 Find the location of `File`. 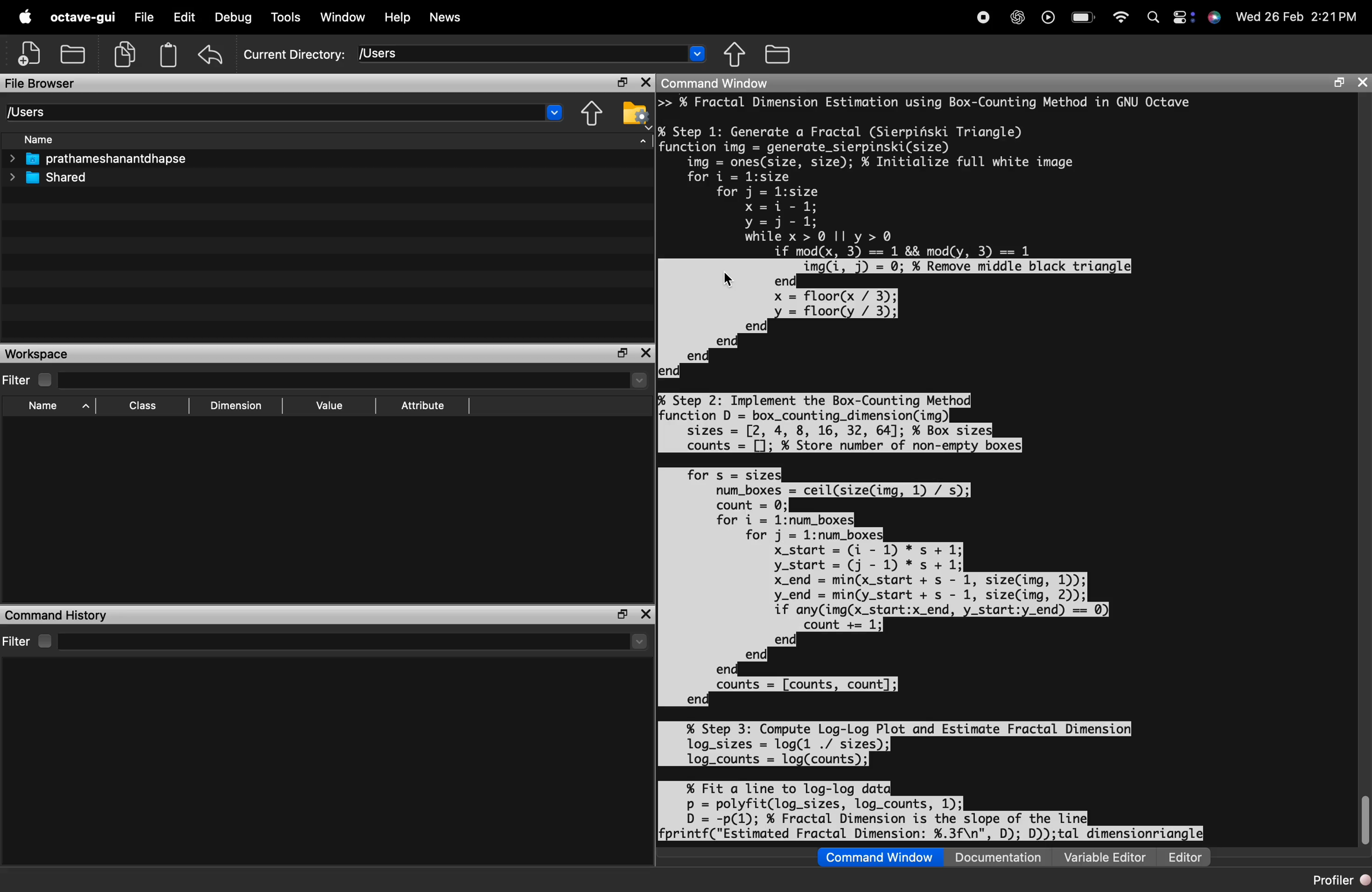

File is located at coordinates (141, 14).